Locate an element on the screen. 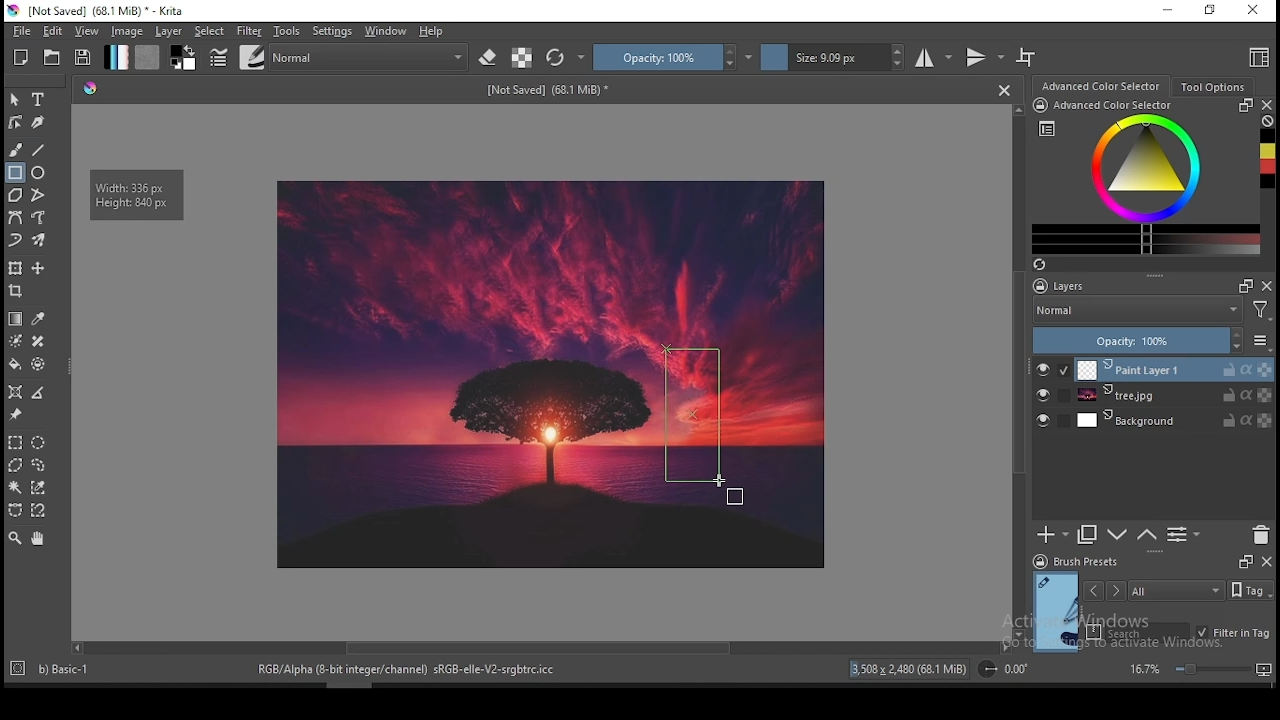 This screenshot has width=1280, height=720. Scroll Bar is located at coordinates (539, 649).